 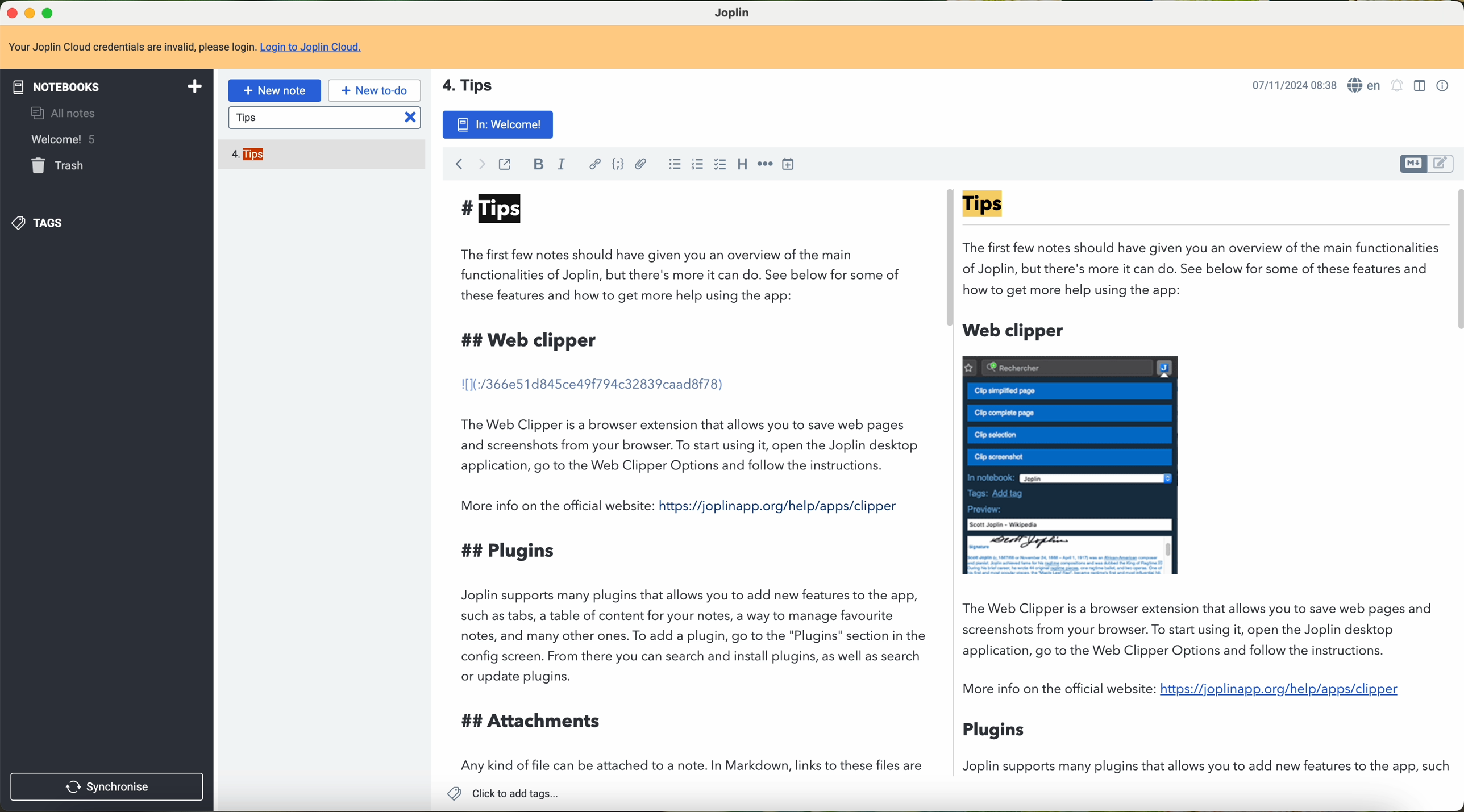 I want to click on More info on the official website: https://joplinapp.org/help/apps/clipper, so click(x=1184, y=693).